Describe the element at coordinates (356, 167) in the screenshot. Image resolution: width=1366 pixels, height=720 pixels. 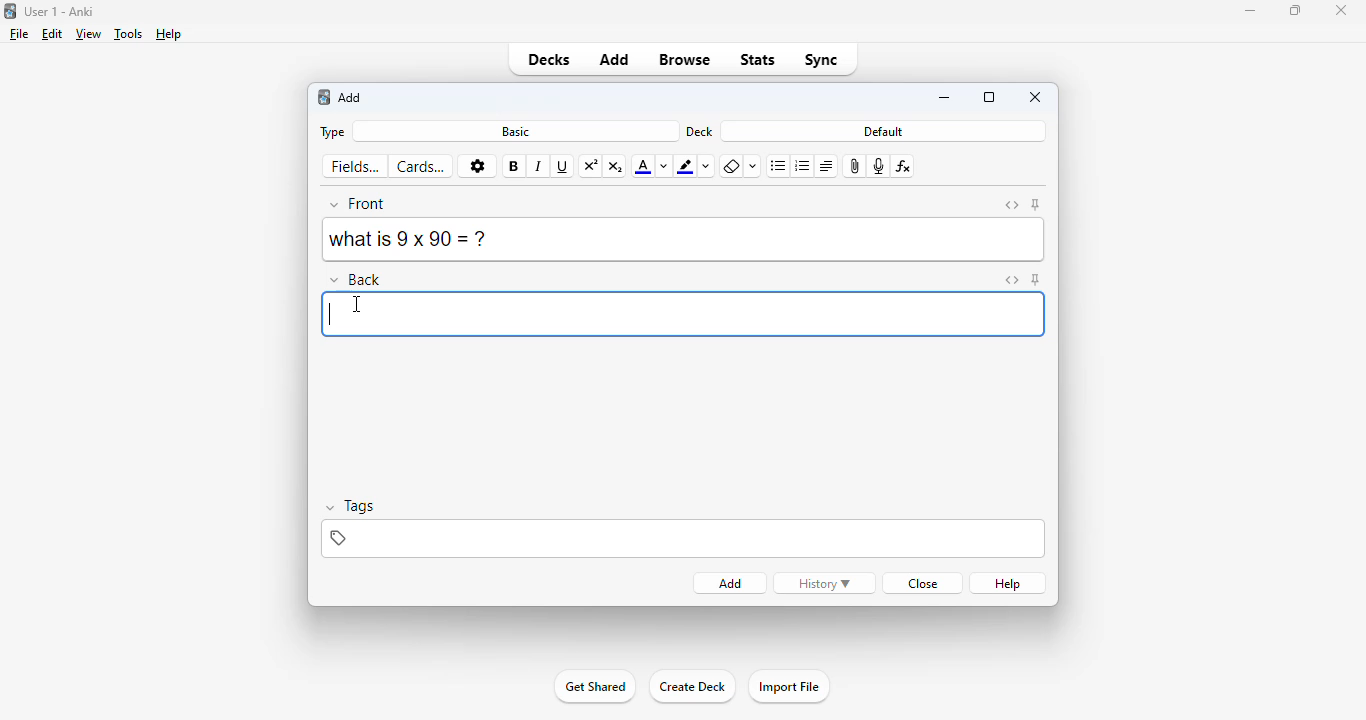
I see `fields` at that location.